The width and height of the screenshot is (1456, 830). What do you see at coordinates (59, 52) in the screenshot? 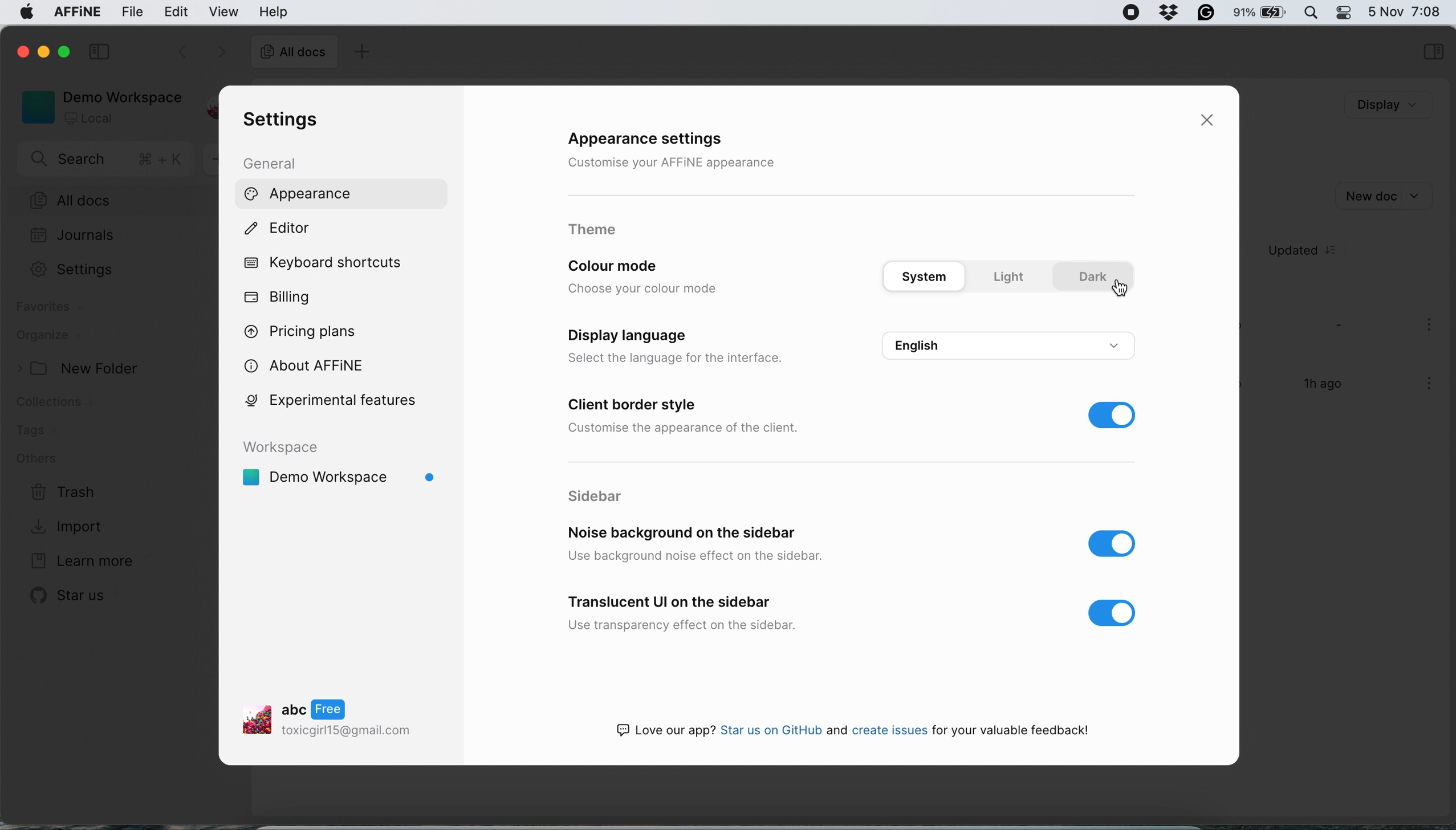
I see `maximise` at bounding box center [59, 52].